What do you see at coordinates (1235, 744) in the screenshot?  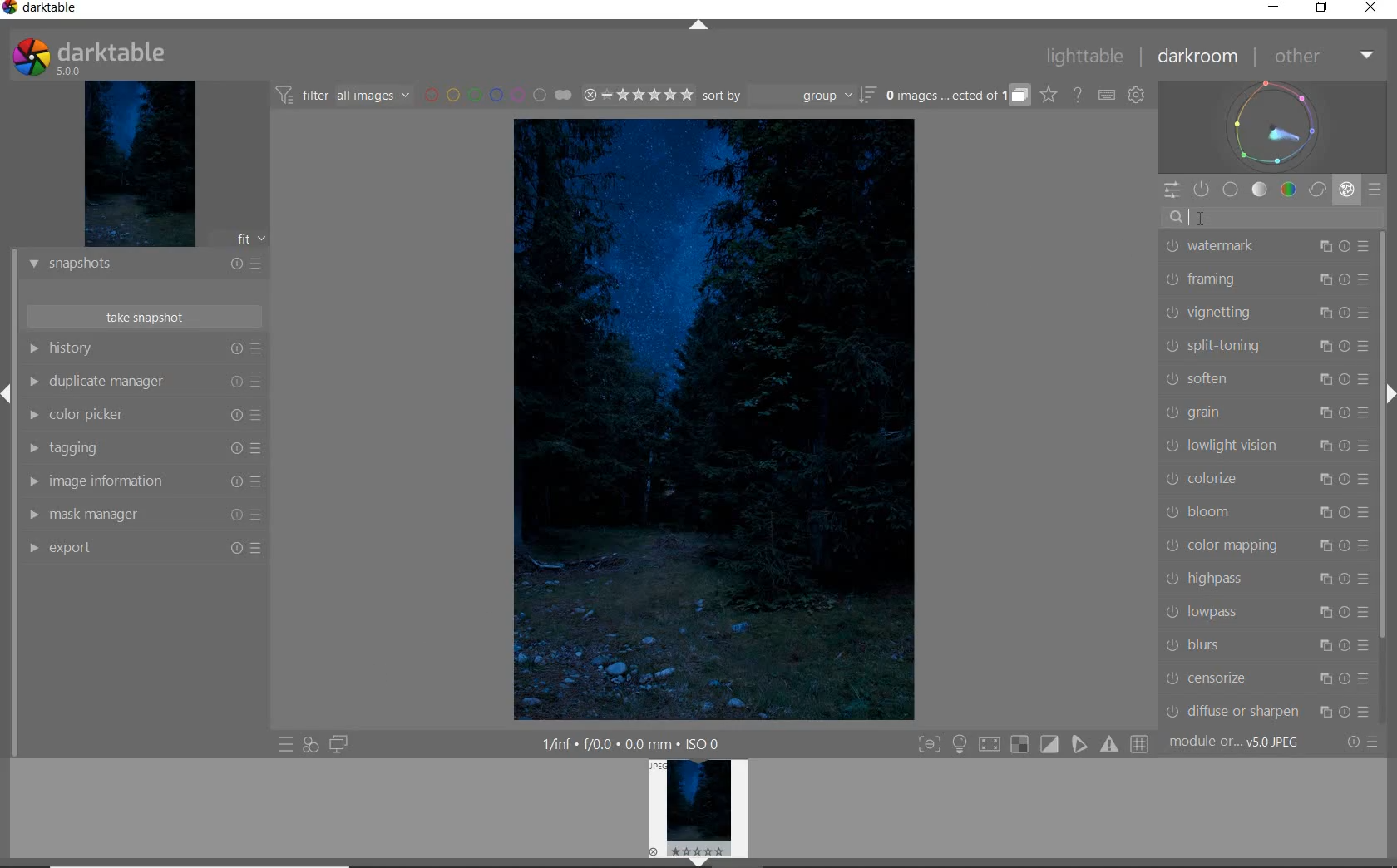 I see `MODULE...v5.0 JPEG` at bounding box center [1235, 744].